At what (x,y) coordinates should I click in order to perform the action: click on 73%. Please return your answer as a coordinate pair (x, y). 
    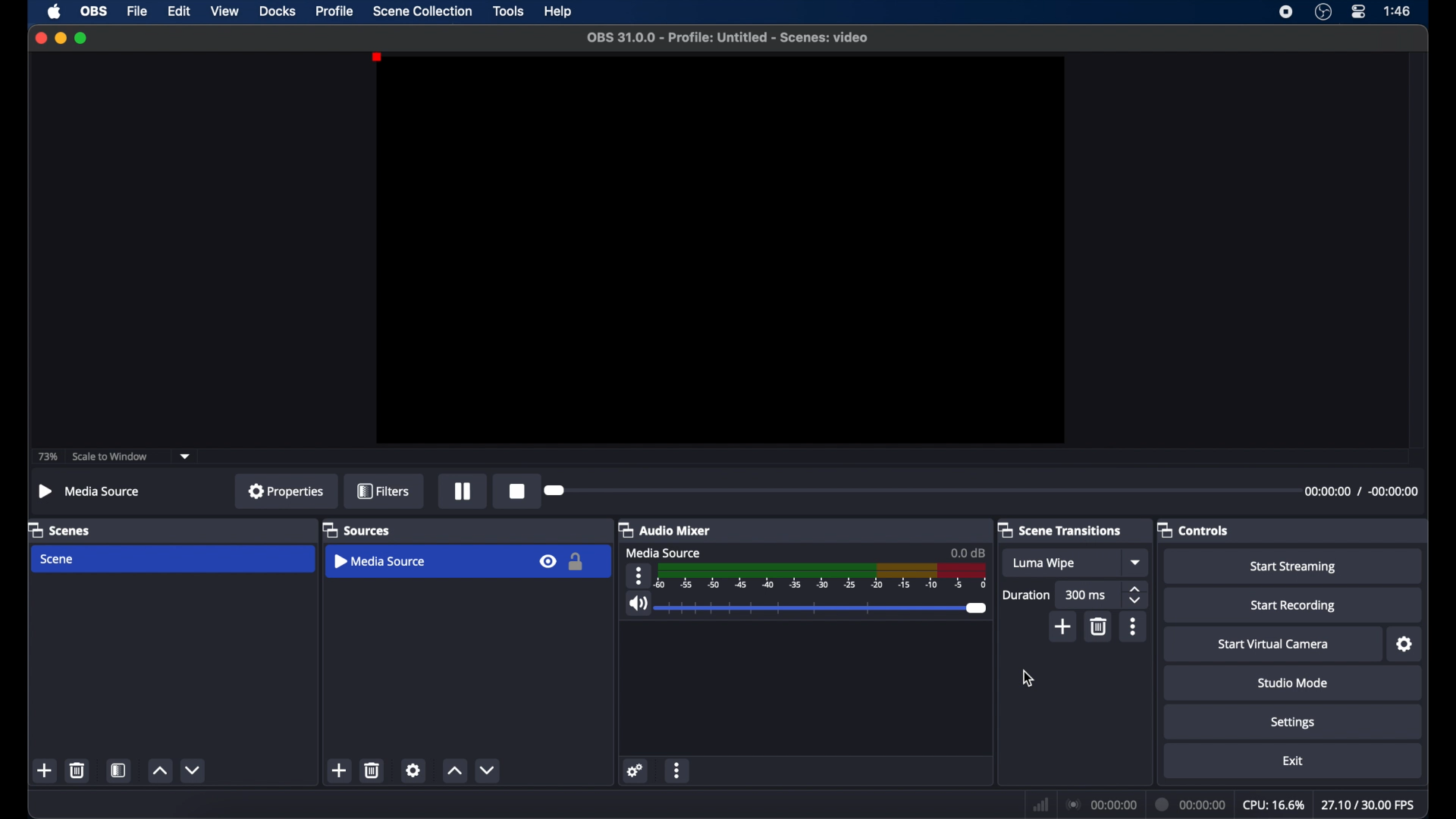
    Looking at the image, I should click on (49, 457).